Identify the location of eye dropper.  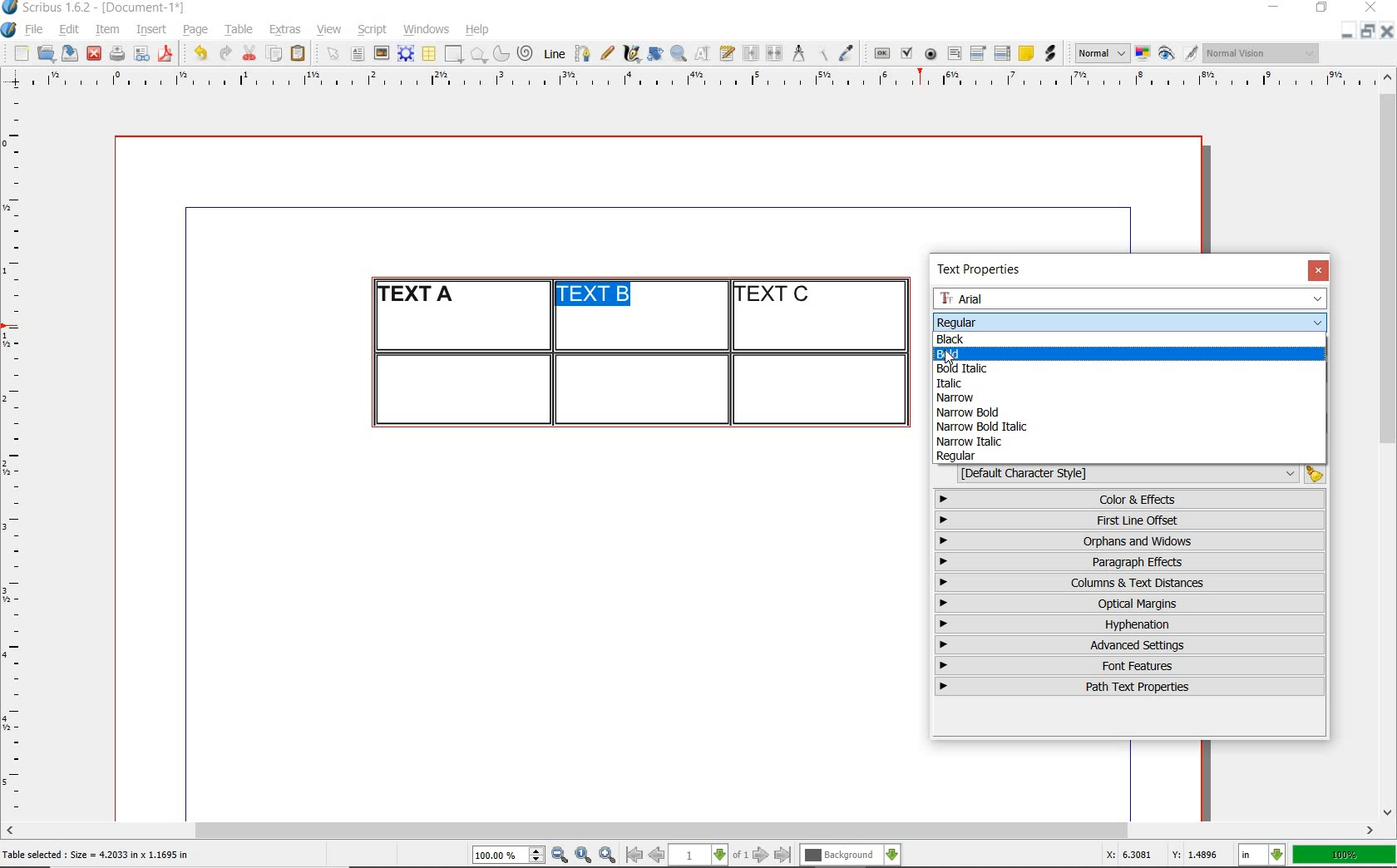
(846, 55).